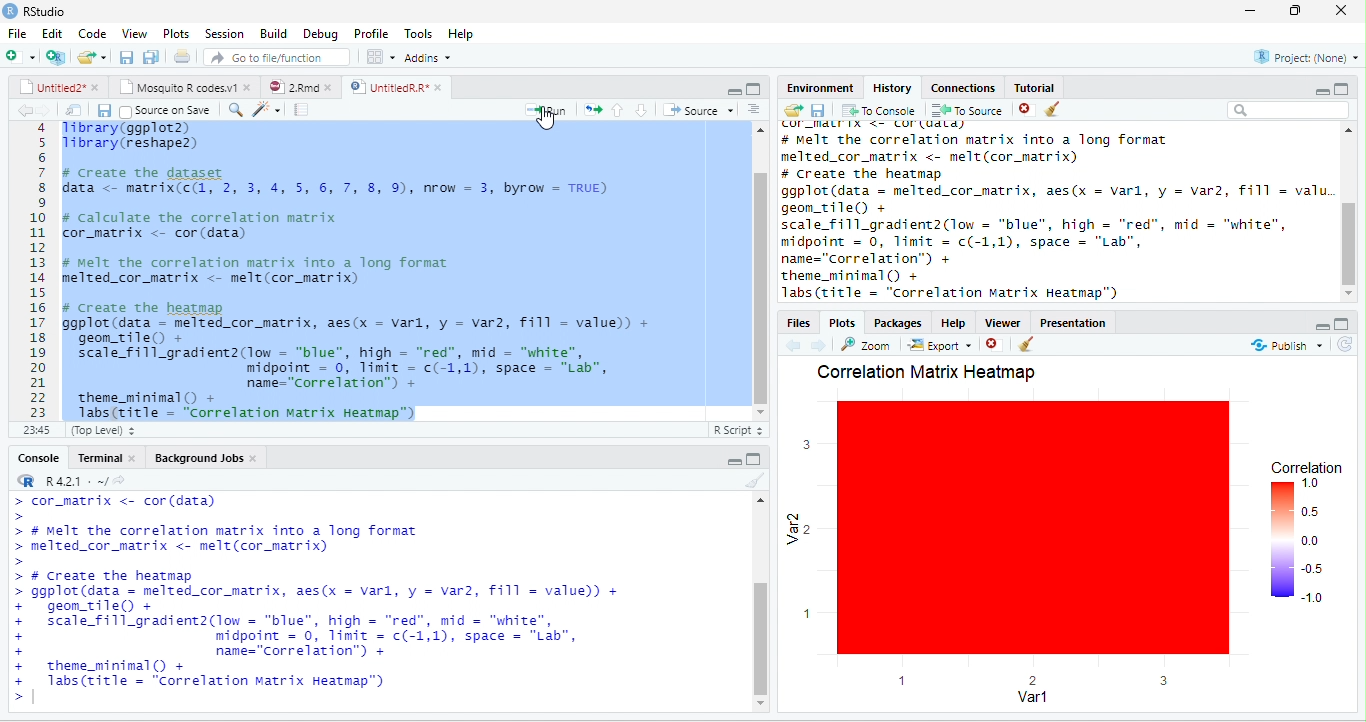  I want to click on close, so click(1345, 11).